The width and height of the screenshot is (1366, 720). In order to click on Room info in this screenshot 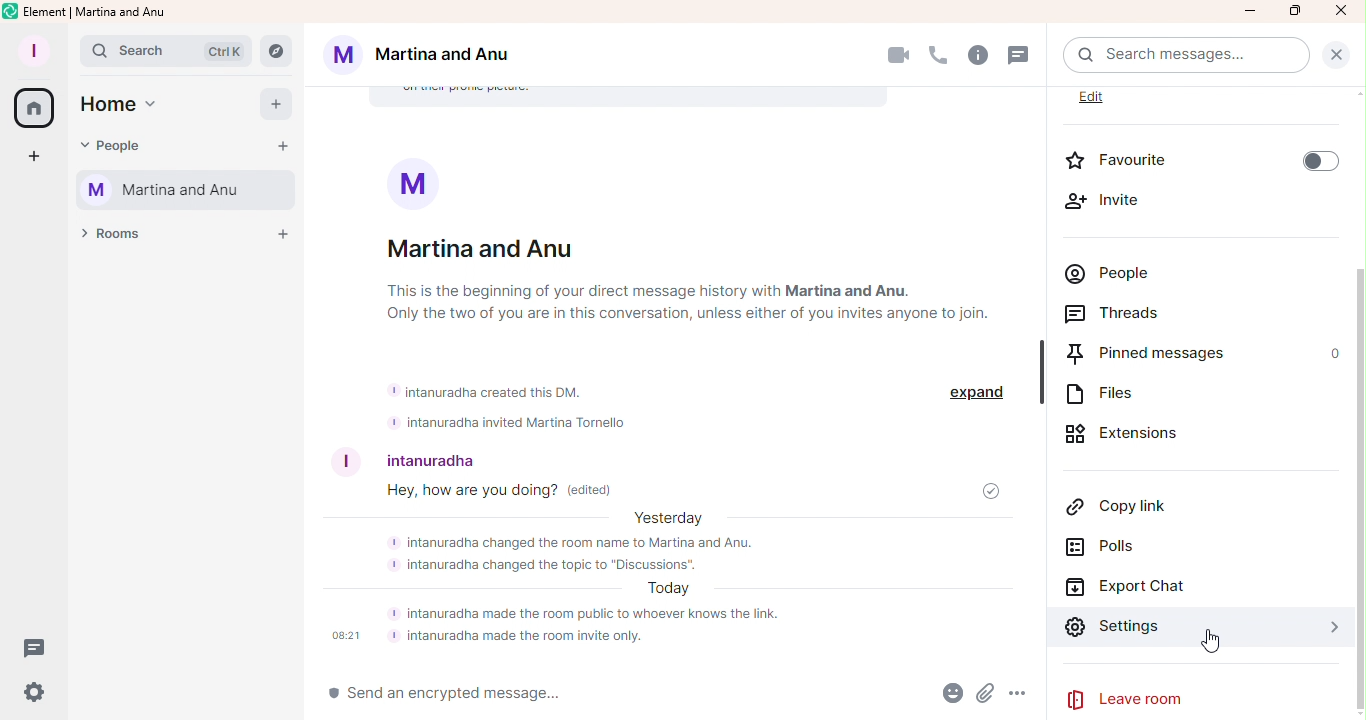, I will do `click(688, 255)`.